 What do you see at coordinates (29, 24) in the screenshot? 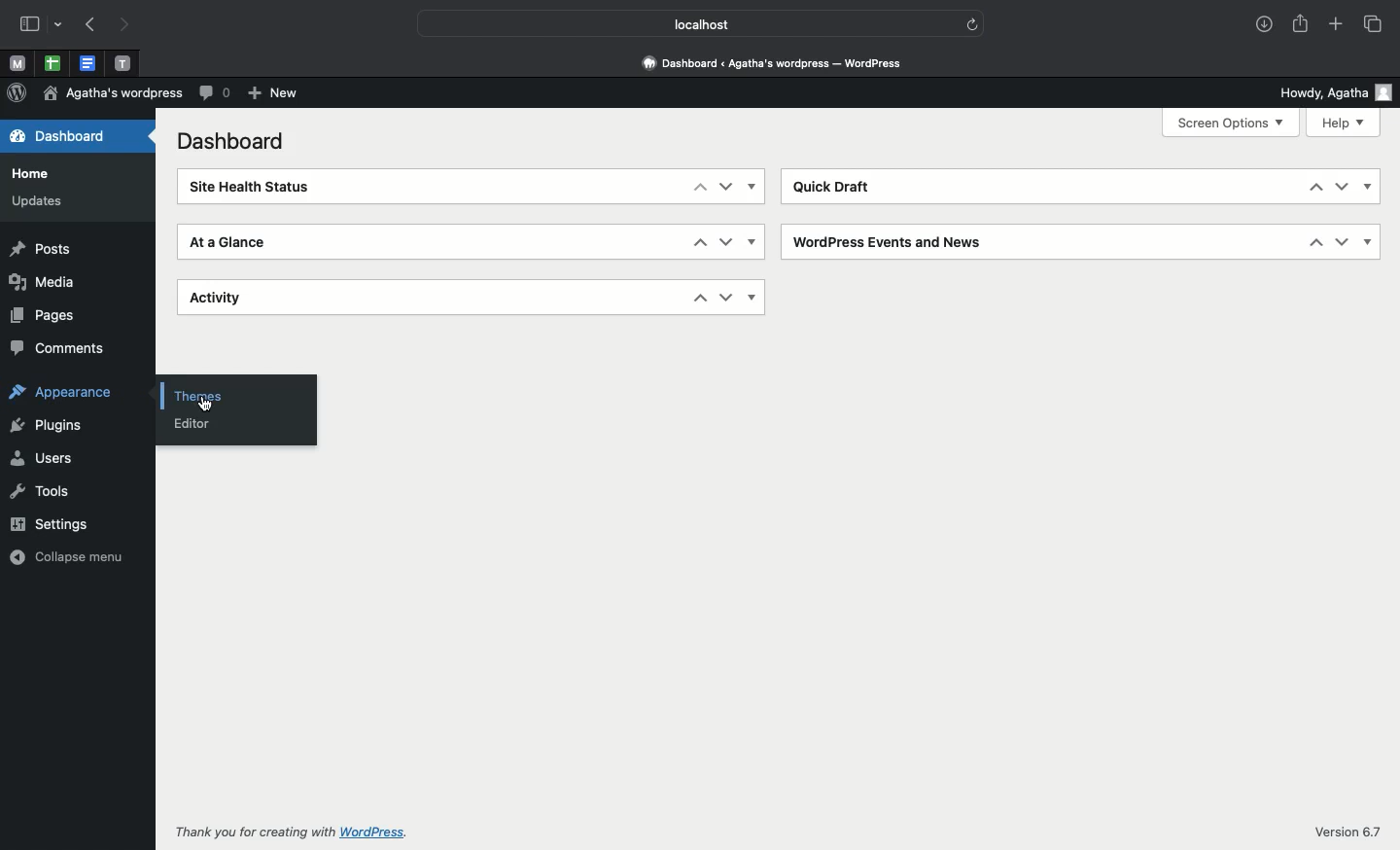
I see `Sidebar` at bounding box center [29, 24].